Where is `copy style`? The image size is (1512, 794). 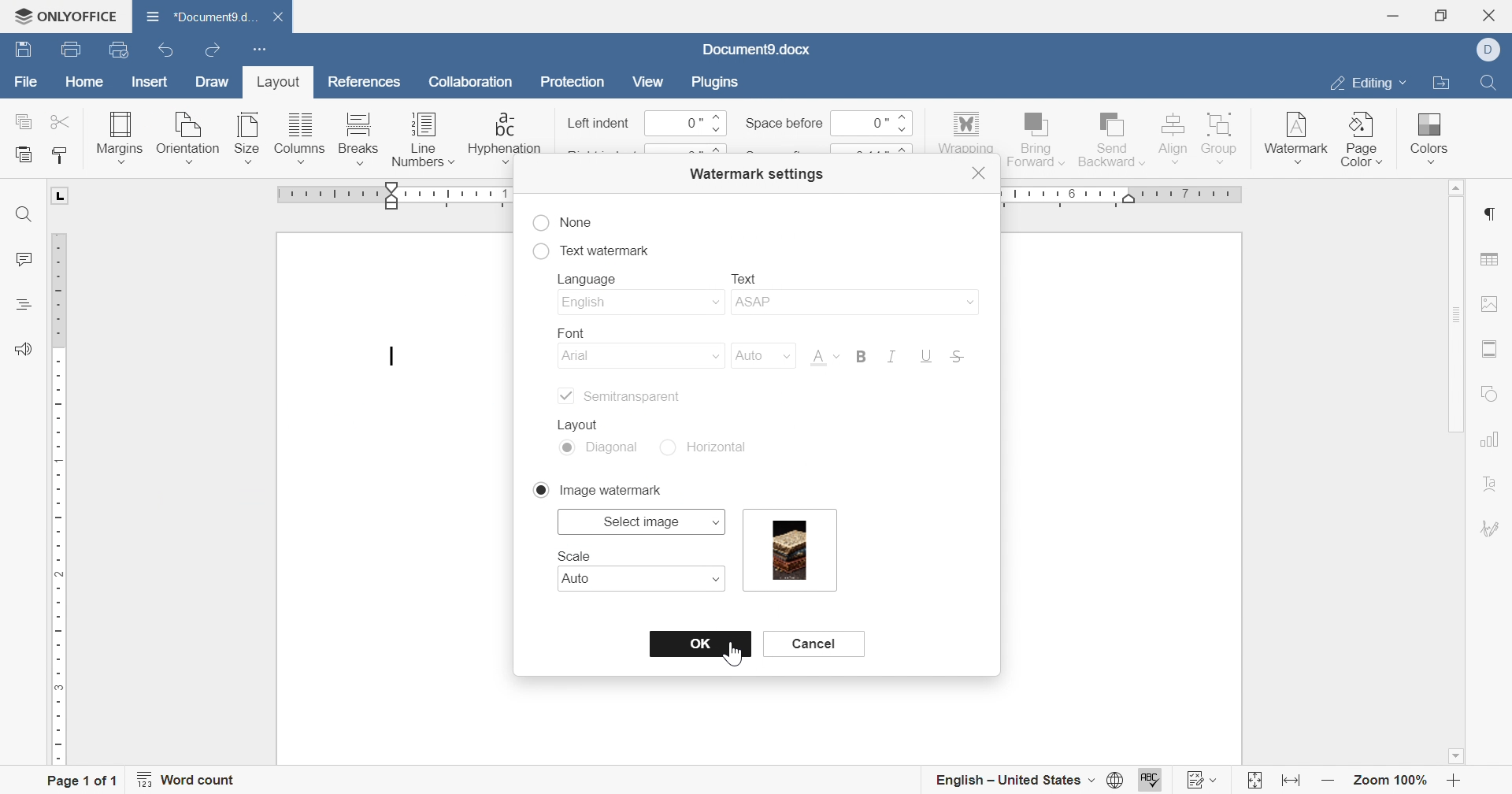
copy style is located at coordinates (61, 155).